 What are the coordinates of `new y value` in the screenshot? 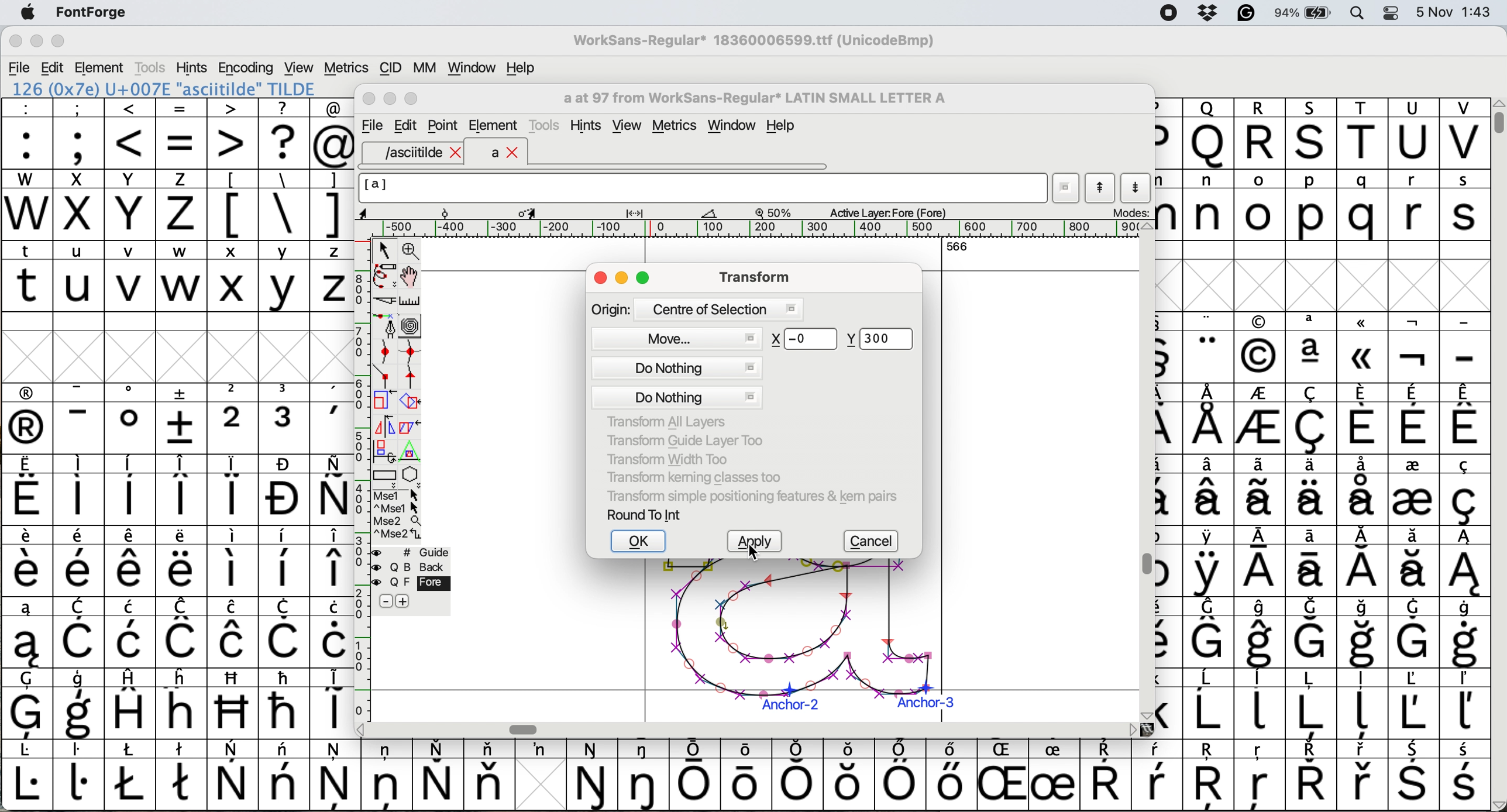 It's located at (884, 340).